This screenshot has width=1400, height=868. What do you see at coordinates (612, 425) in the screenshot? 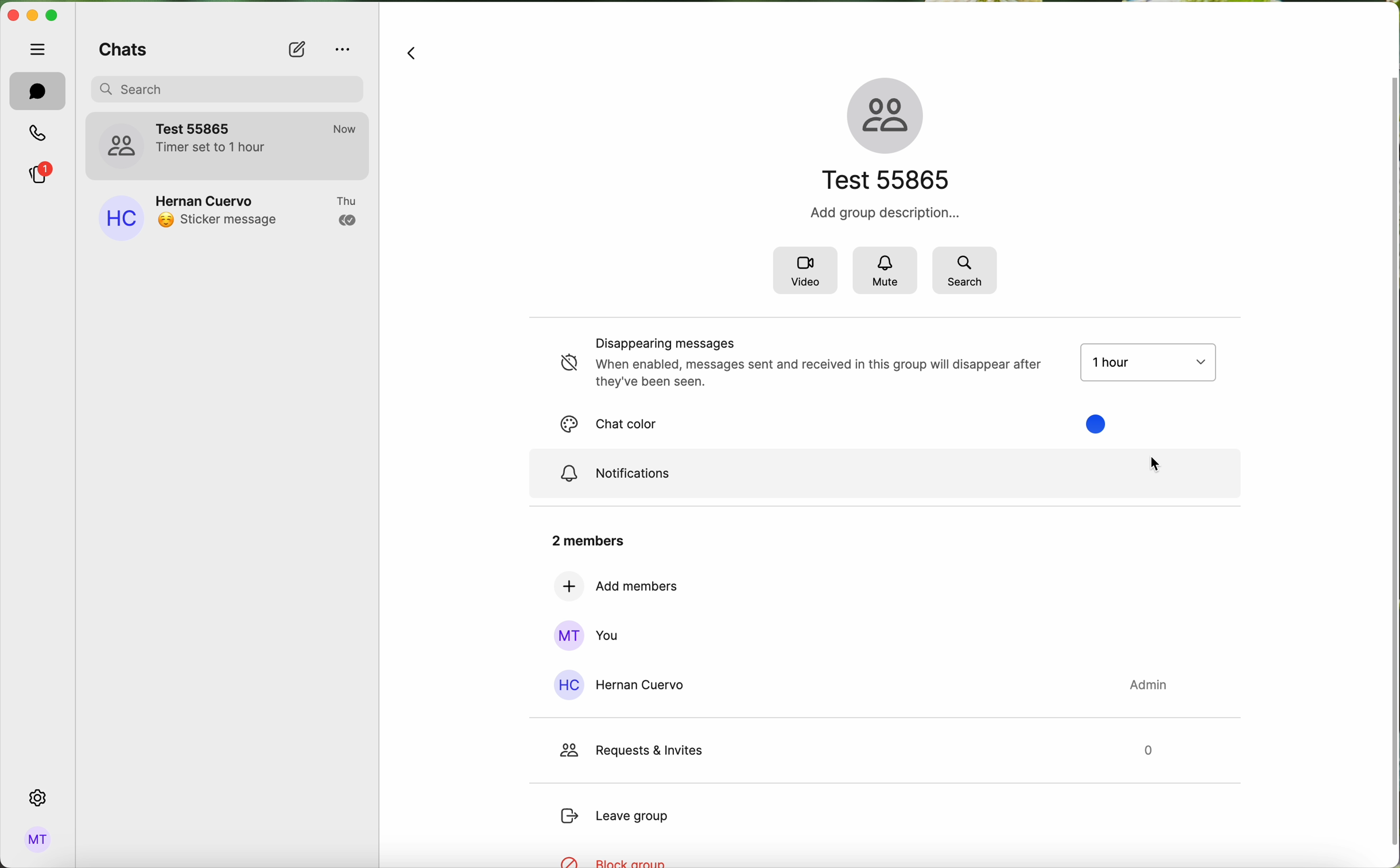
I see `chat color` at bounding box center [612, 425].